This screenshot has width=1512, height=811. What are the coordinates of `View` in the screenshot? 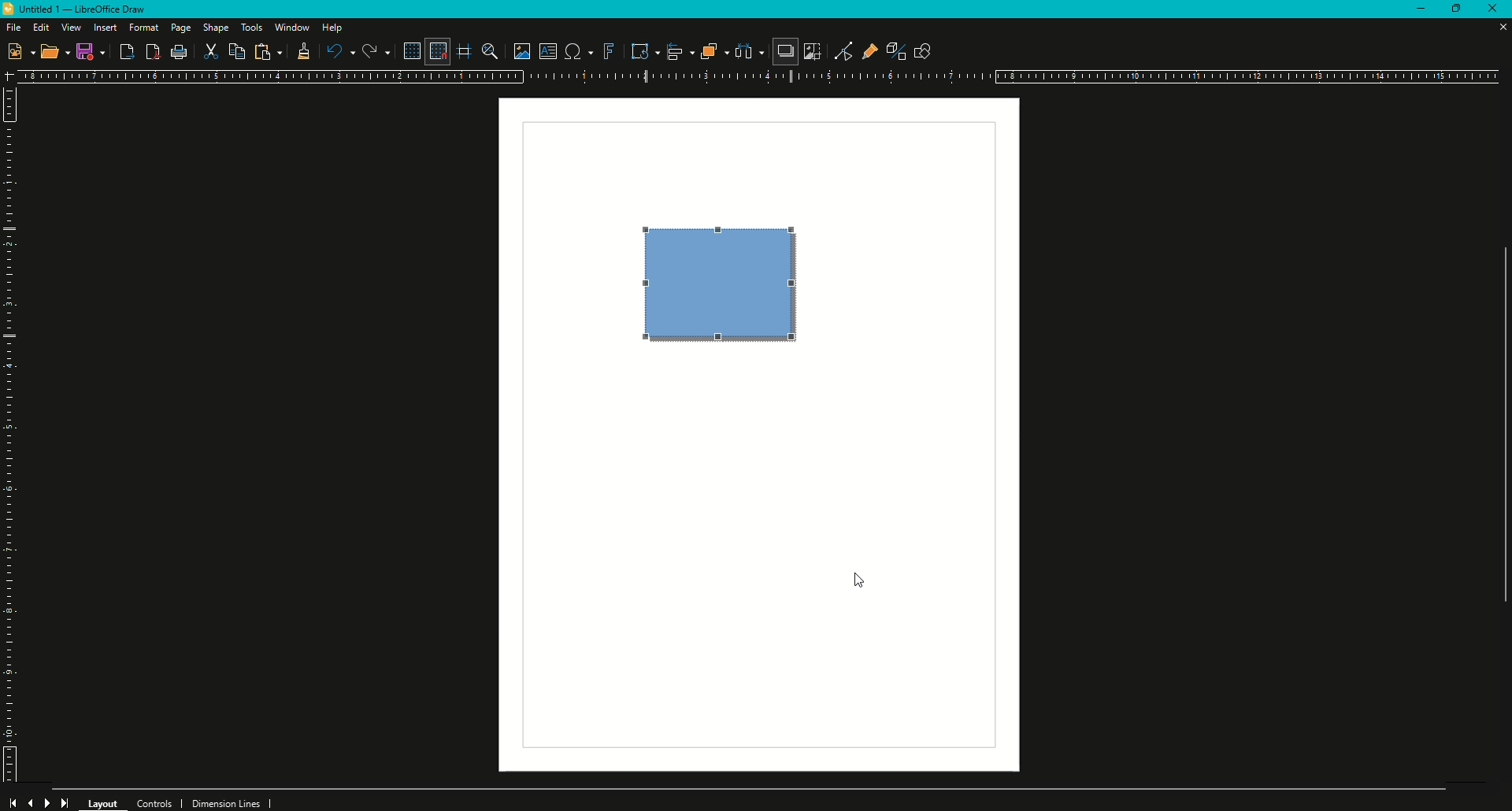 It's located at (71, 28).